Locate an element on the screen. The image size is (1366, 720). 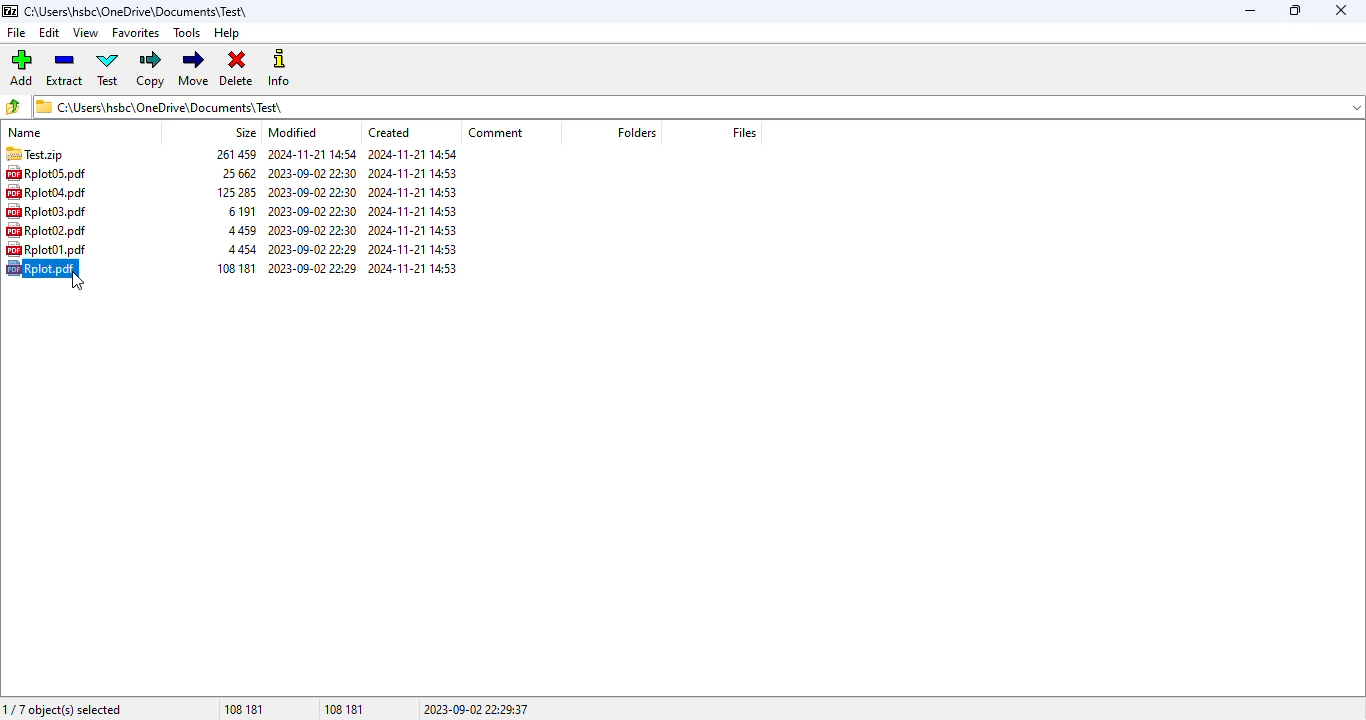
browse folders is located at coordinates (13, 106).